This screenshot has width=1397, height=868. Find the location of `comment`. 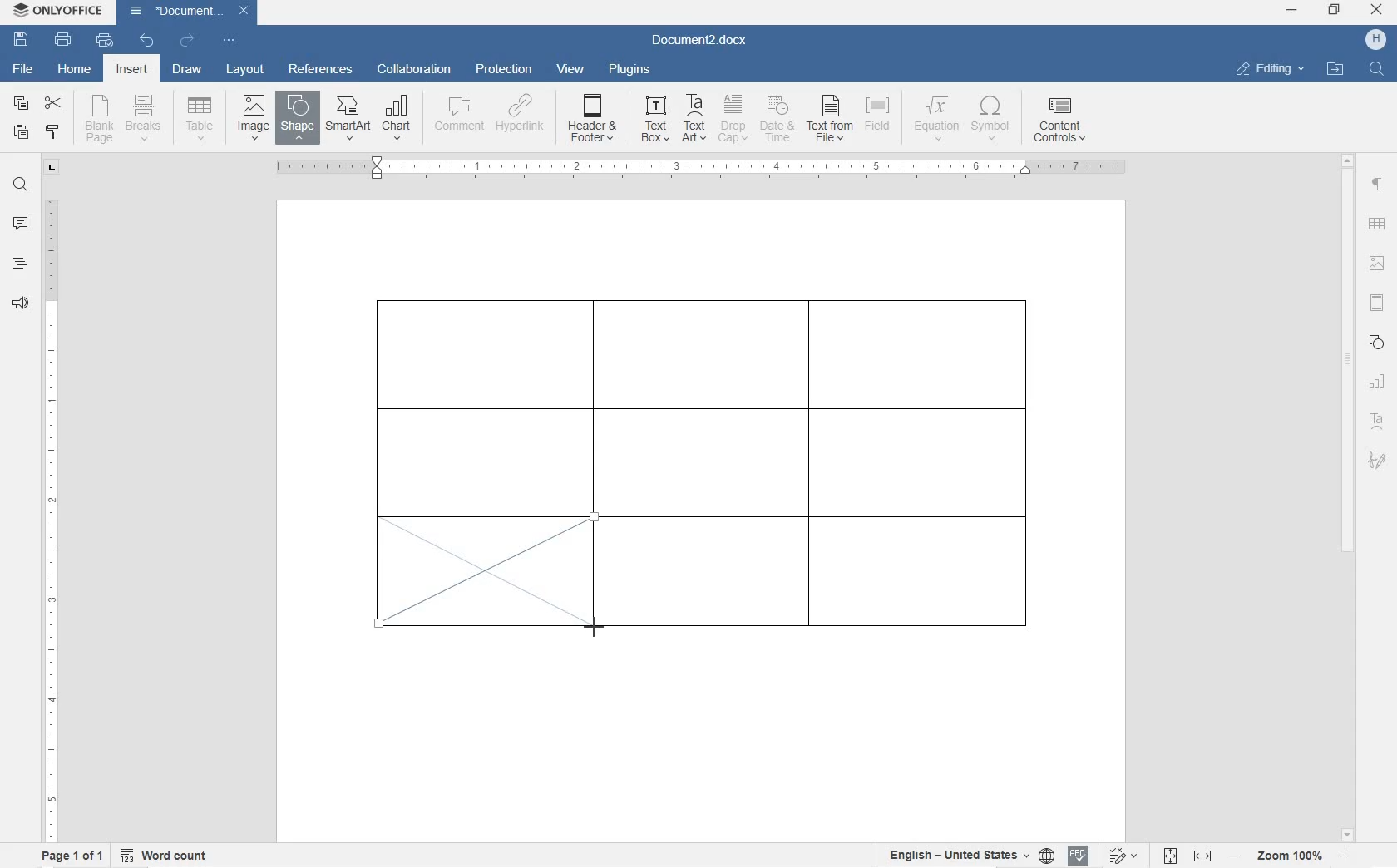

comment is located at coordinates (21, 224).